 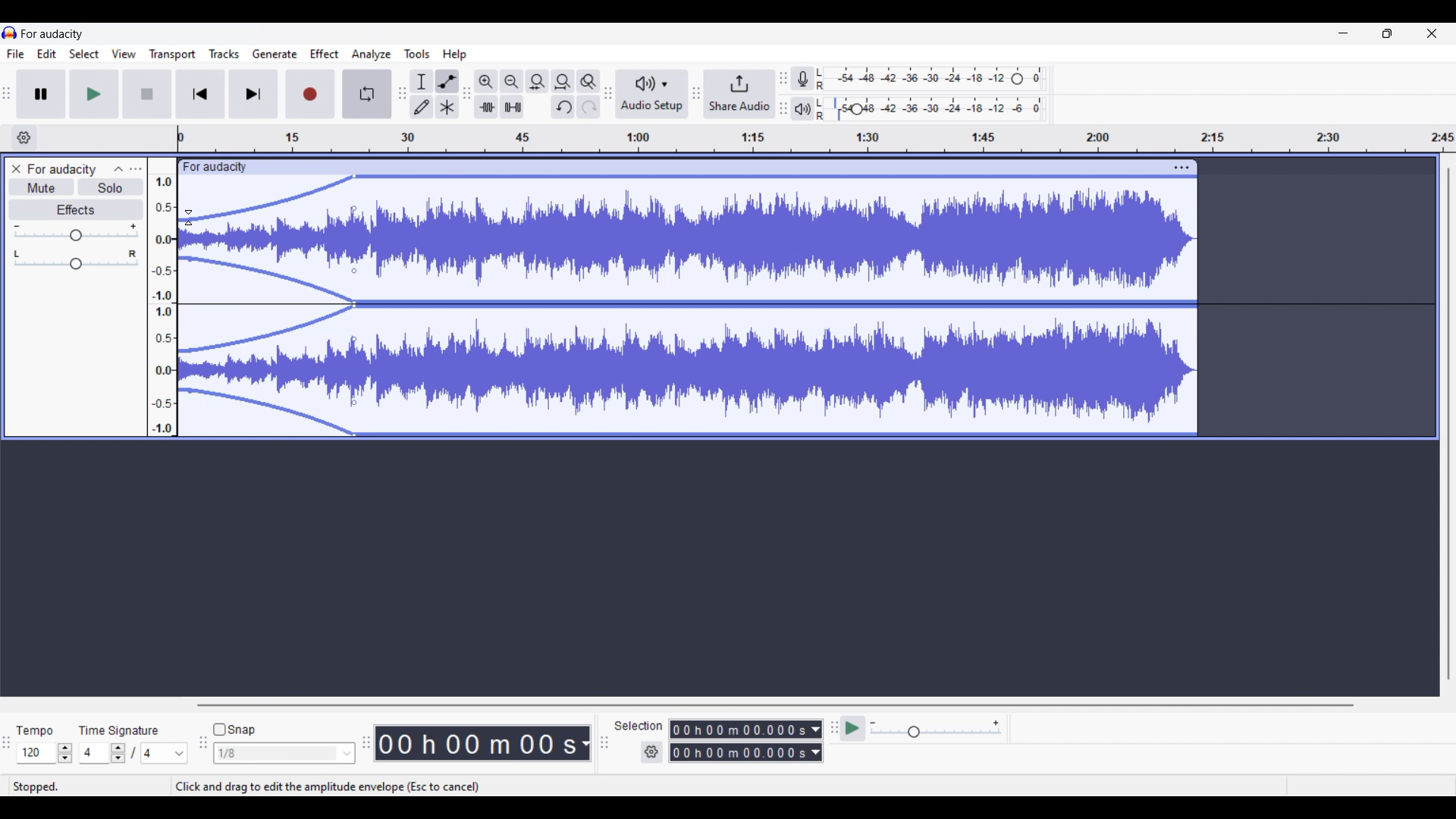 I want to click on Close interface, so click(x=1432, y=33).